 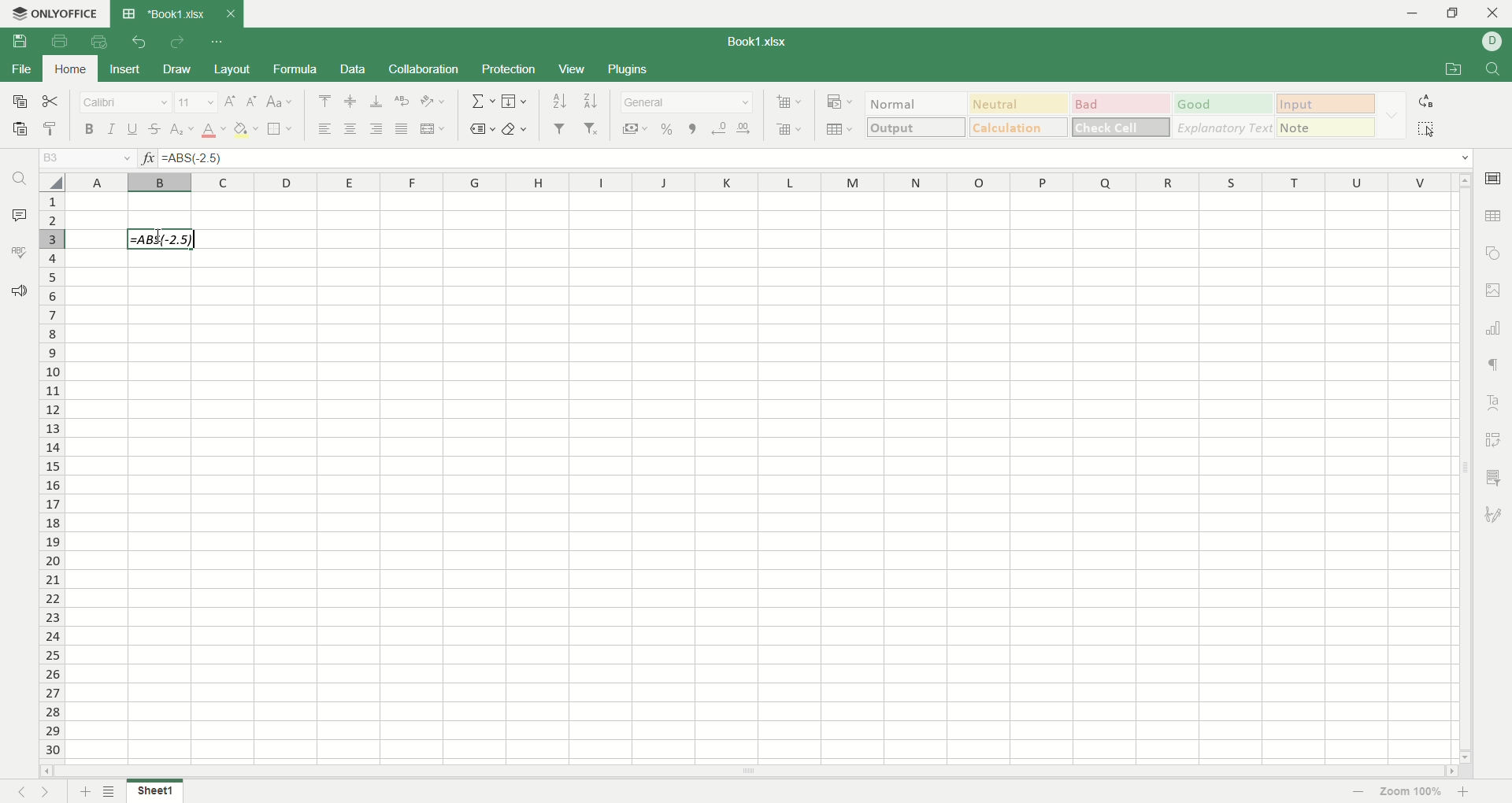 What do you see at coordinates (480, 129) in the screenshot?
I see `named ranges` at bounding box center [480, 129].